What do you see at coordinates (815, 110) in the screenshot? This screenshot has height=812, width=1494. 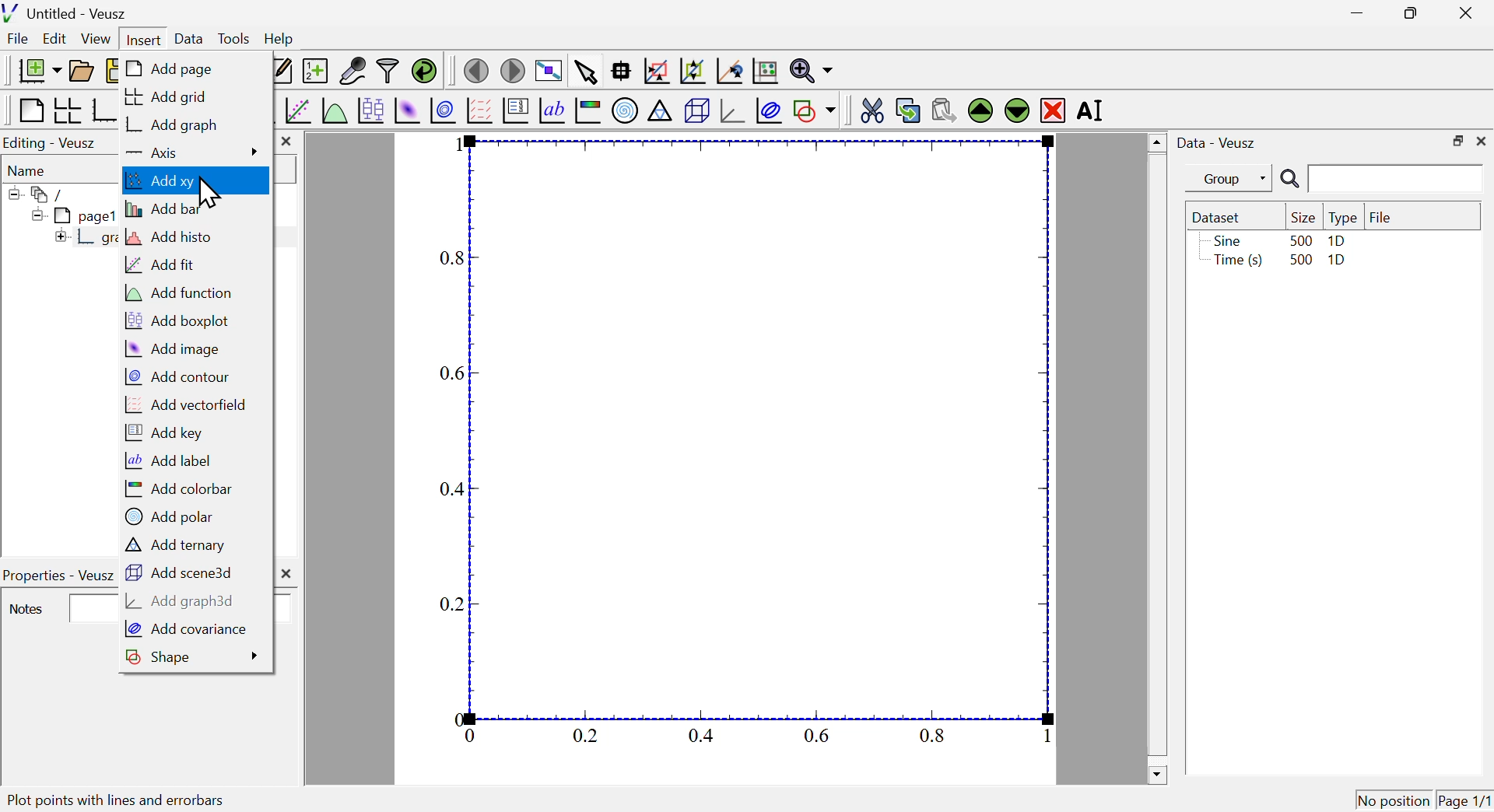 I see `add a shape to the plot` at bounding box center [815, 110].